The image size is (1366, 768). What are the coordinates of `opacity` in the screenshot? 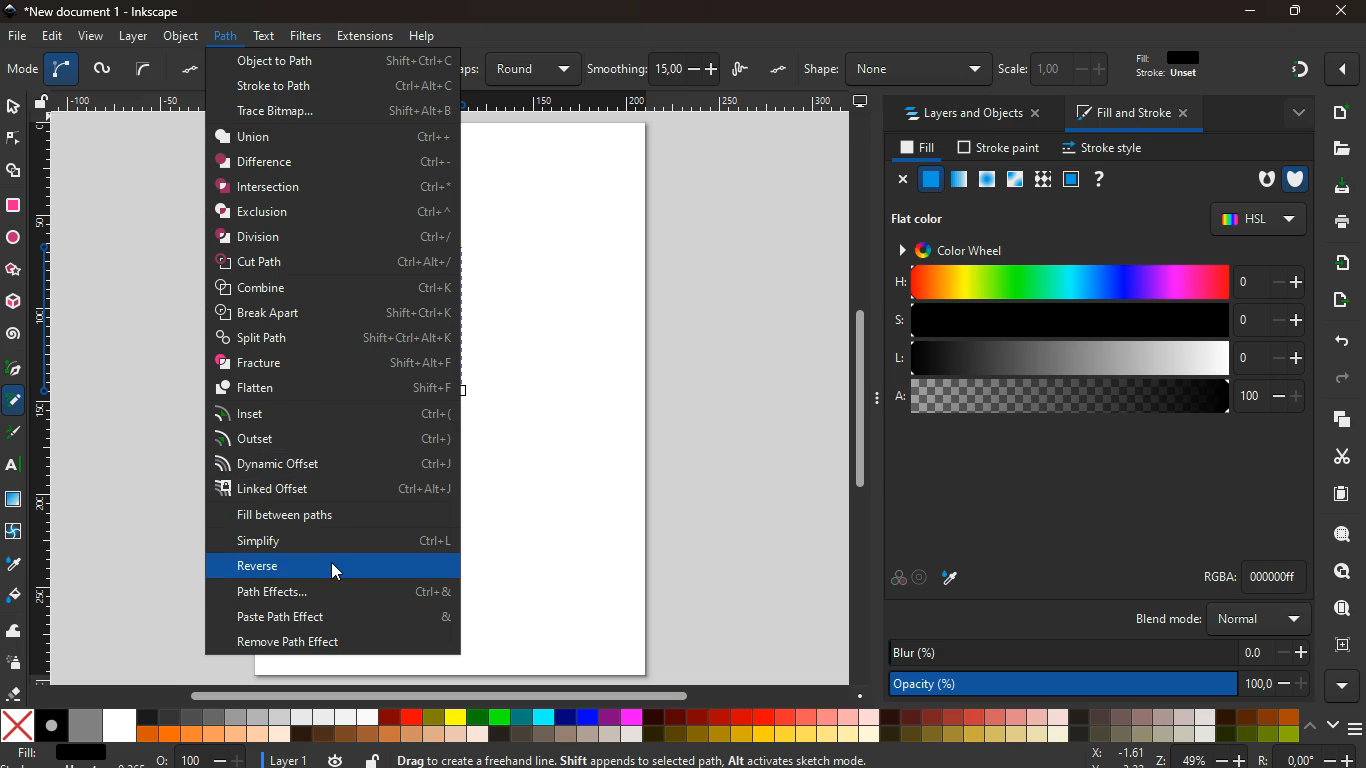 It's located at (988, 180).